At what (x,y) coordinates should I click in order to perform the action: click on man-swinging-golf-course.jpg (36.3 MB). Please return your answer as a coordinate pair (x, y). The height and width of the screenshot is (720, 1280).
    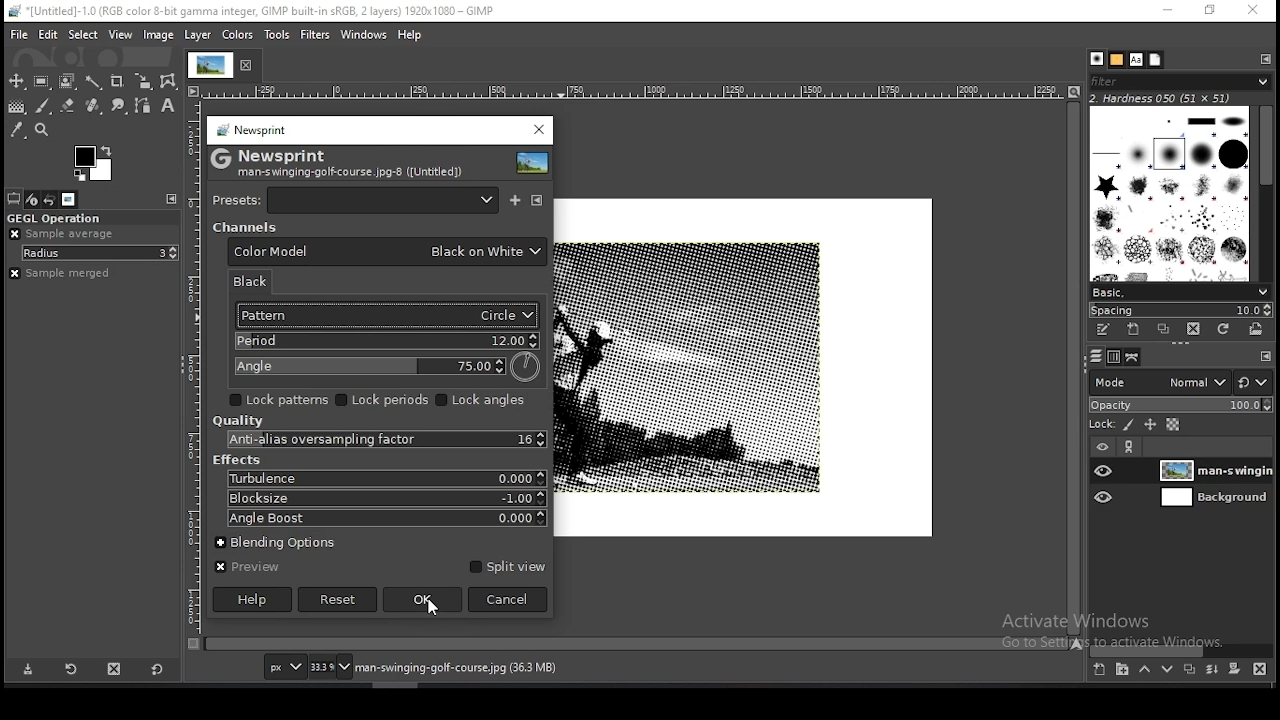
    Looking at the image, I should click on (454, 668).